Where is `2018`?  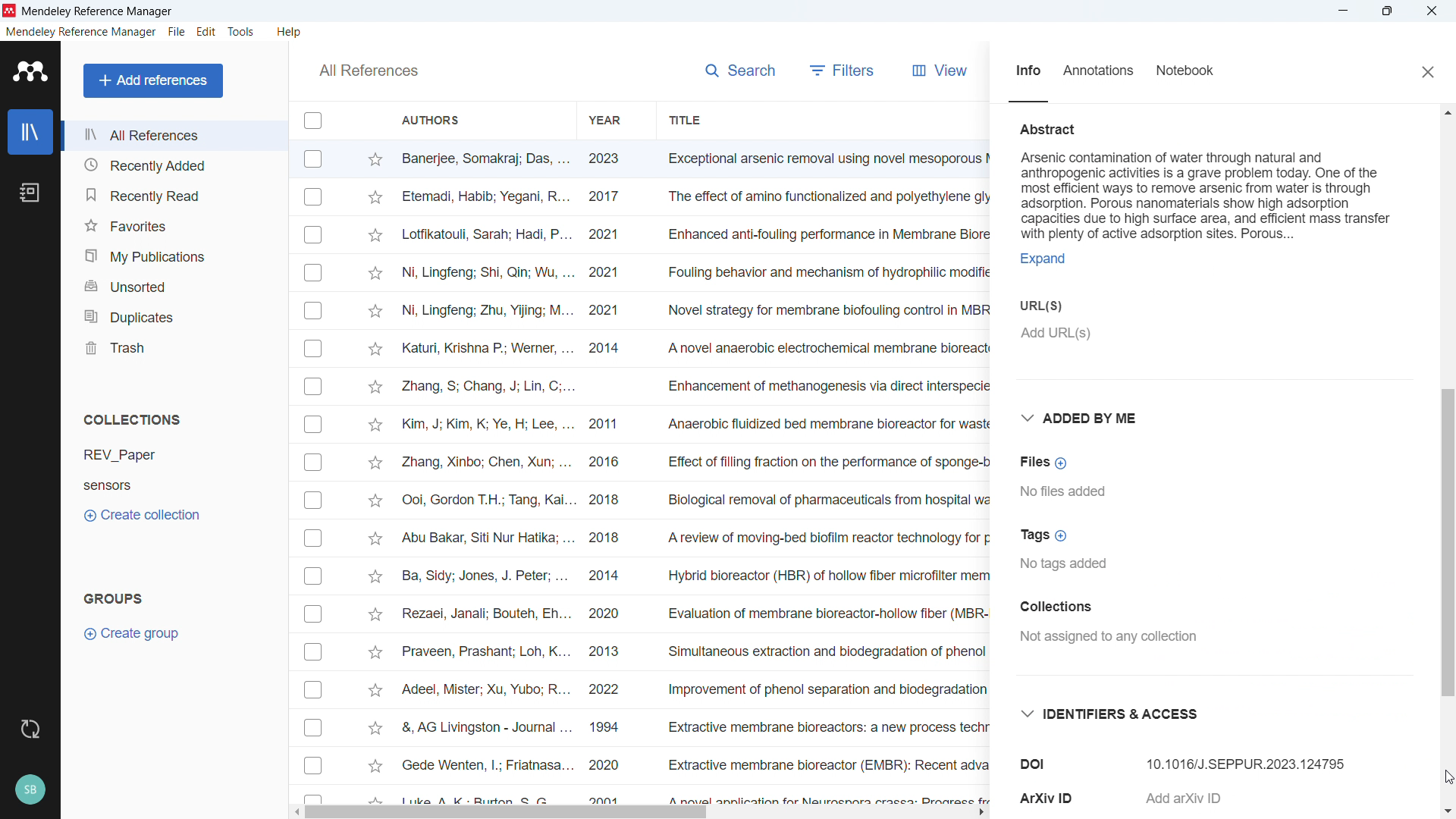 2018 is located at coordinates (608, 501).